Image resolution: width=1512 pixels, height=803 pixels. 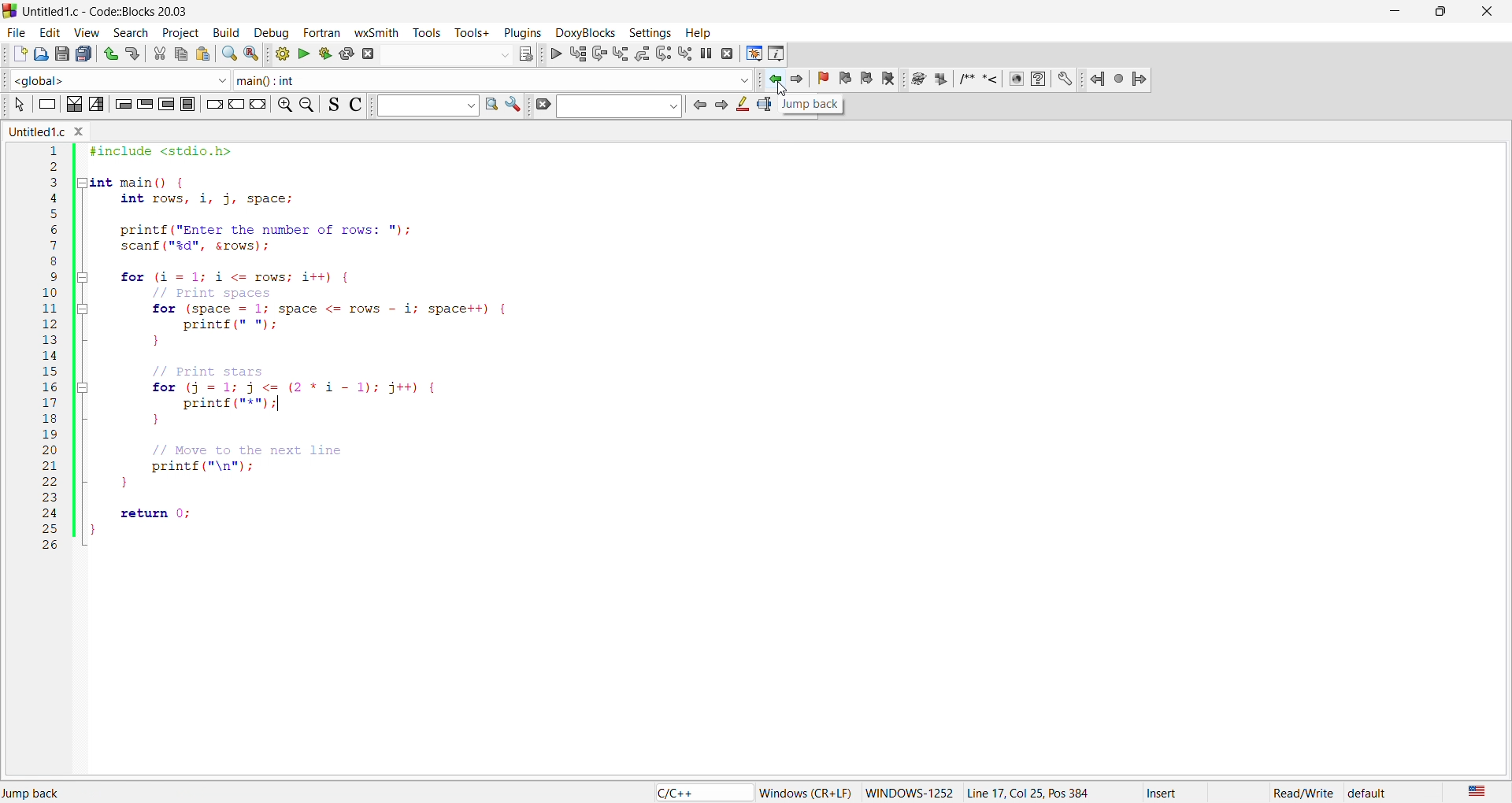 I want to click on untitled.c window, so click(x=47, y=132).